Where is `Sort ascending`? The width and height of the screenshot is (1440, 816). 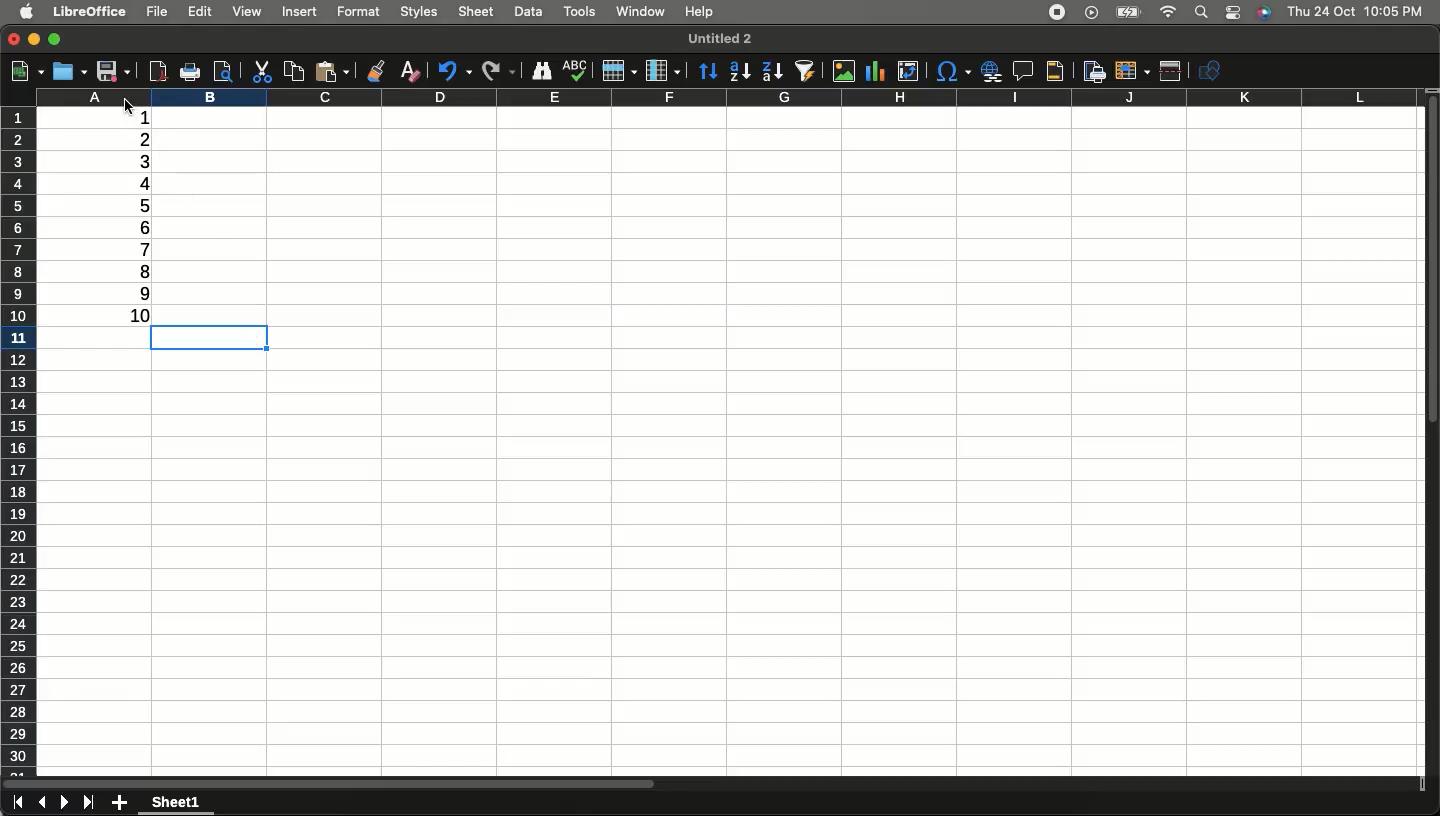
Sort ascending is located at coordinates (740, 71).